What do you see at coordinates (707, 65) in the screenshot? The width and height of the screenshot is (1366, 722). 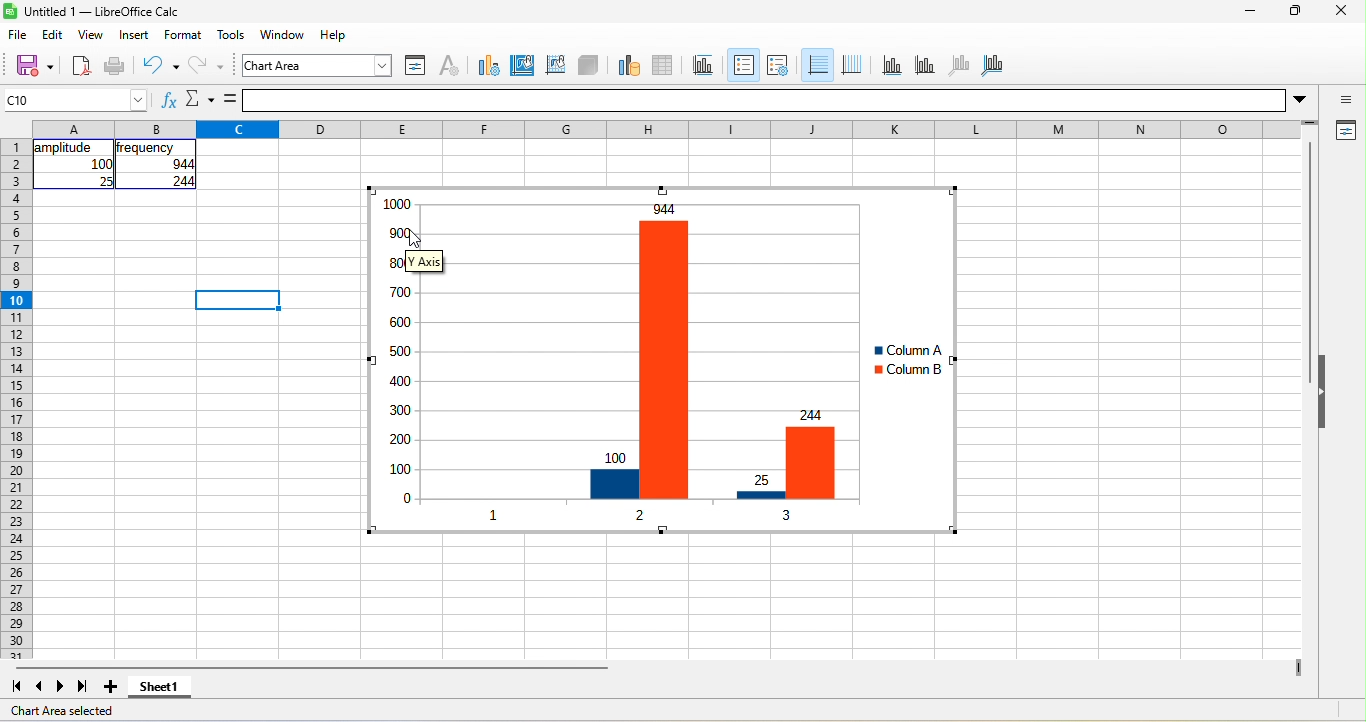 I see `title` at bounding box center [707, 65].